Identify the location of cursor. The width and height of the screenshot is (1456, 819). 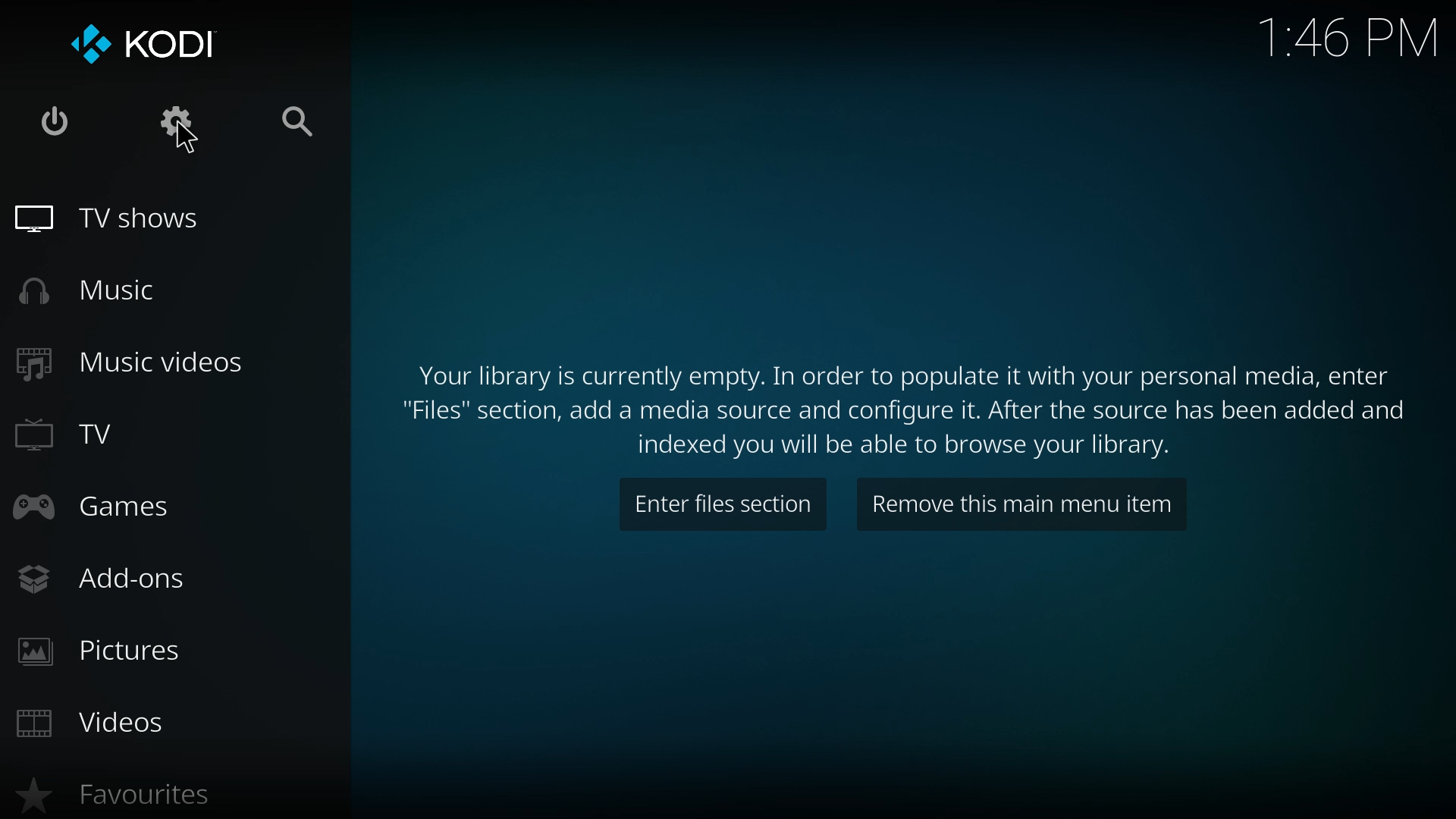
(196, 140).